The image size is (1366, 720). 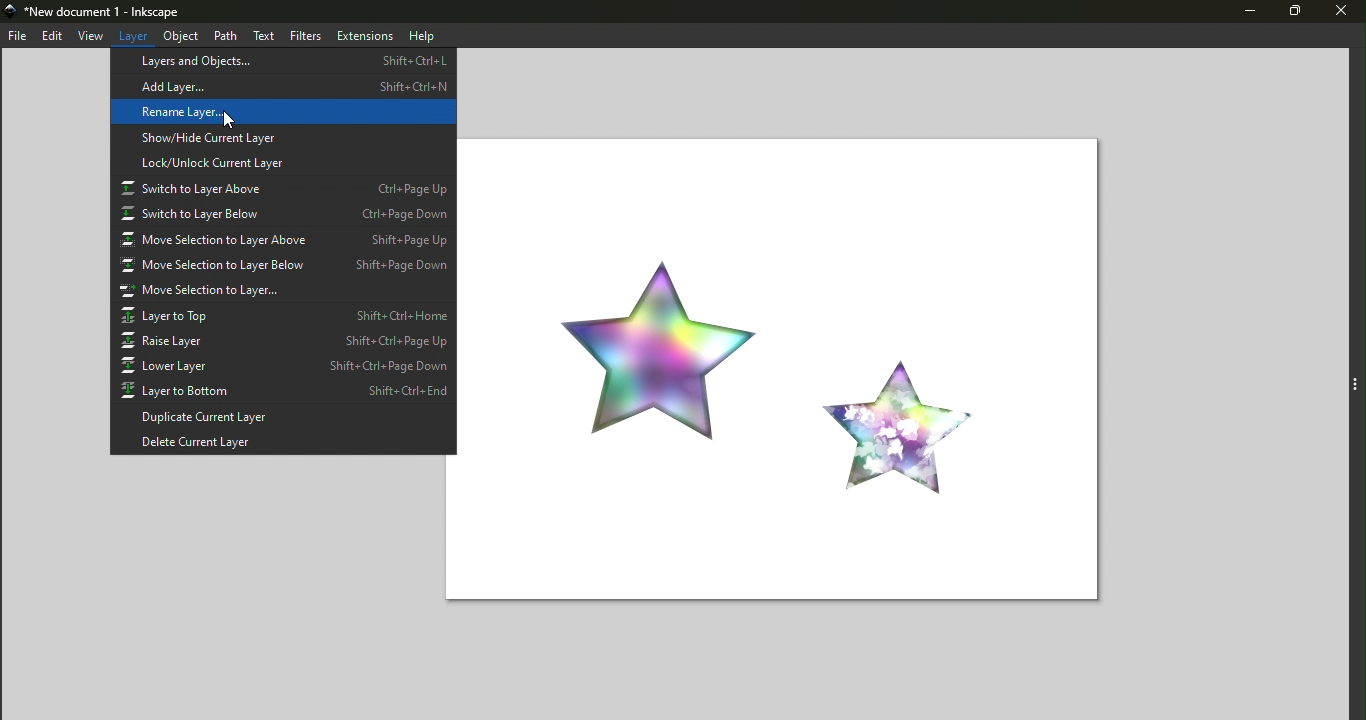 I want to click on view, so click(x=87, y=37).